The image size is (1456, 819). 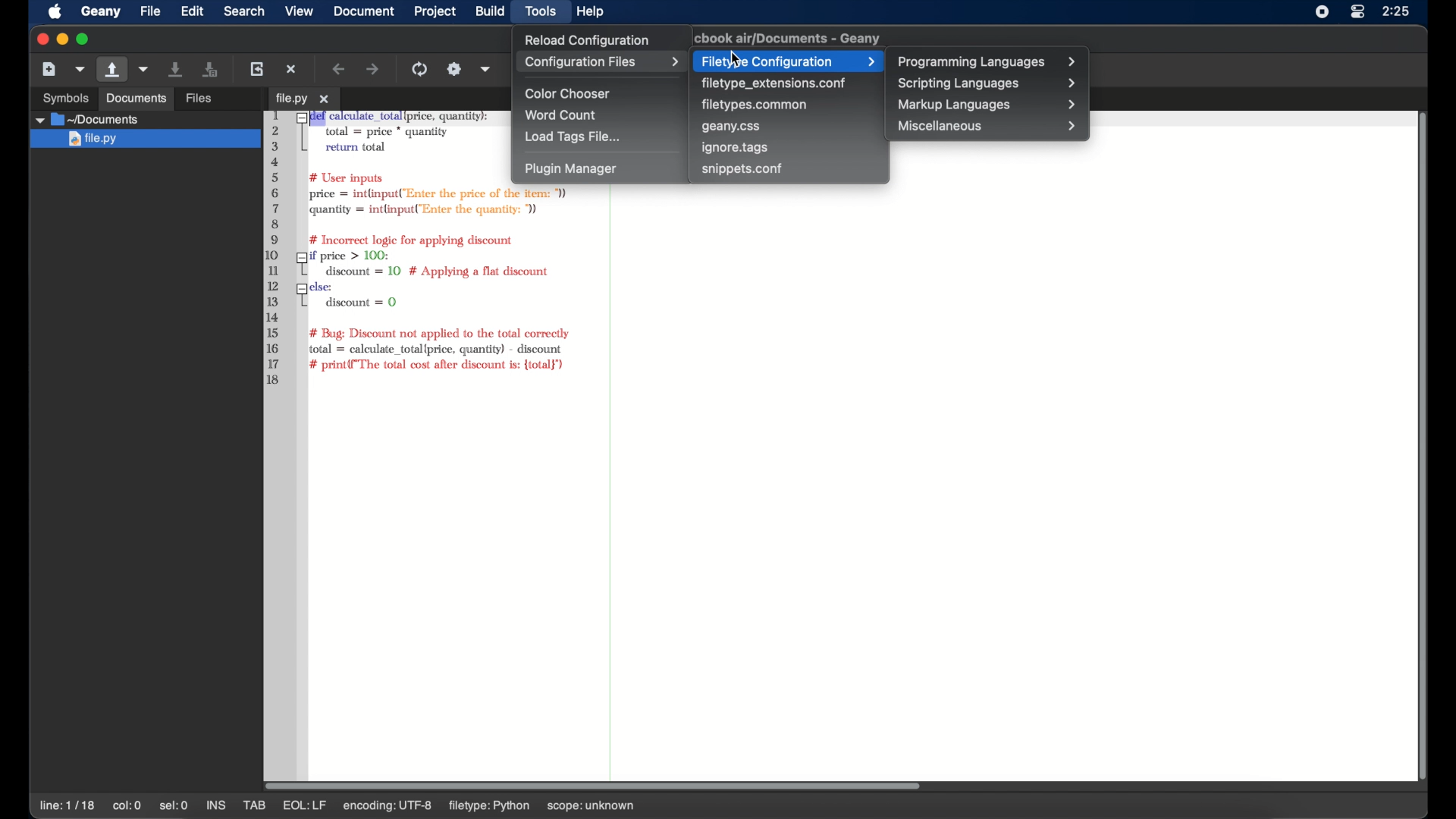 I want to click on navigate forward a location, so click(x=374, y=70).